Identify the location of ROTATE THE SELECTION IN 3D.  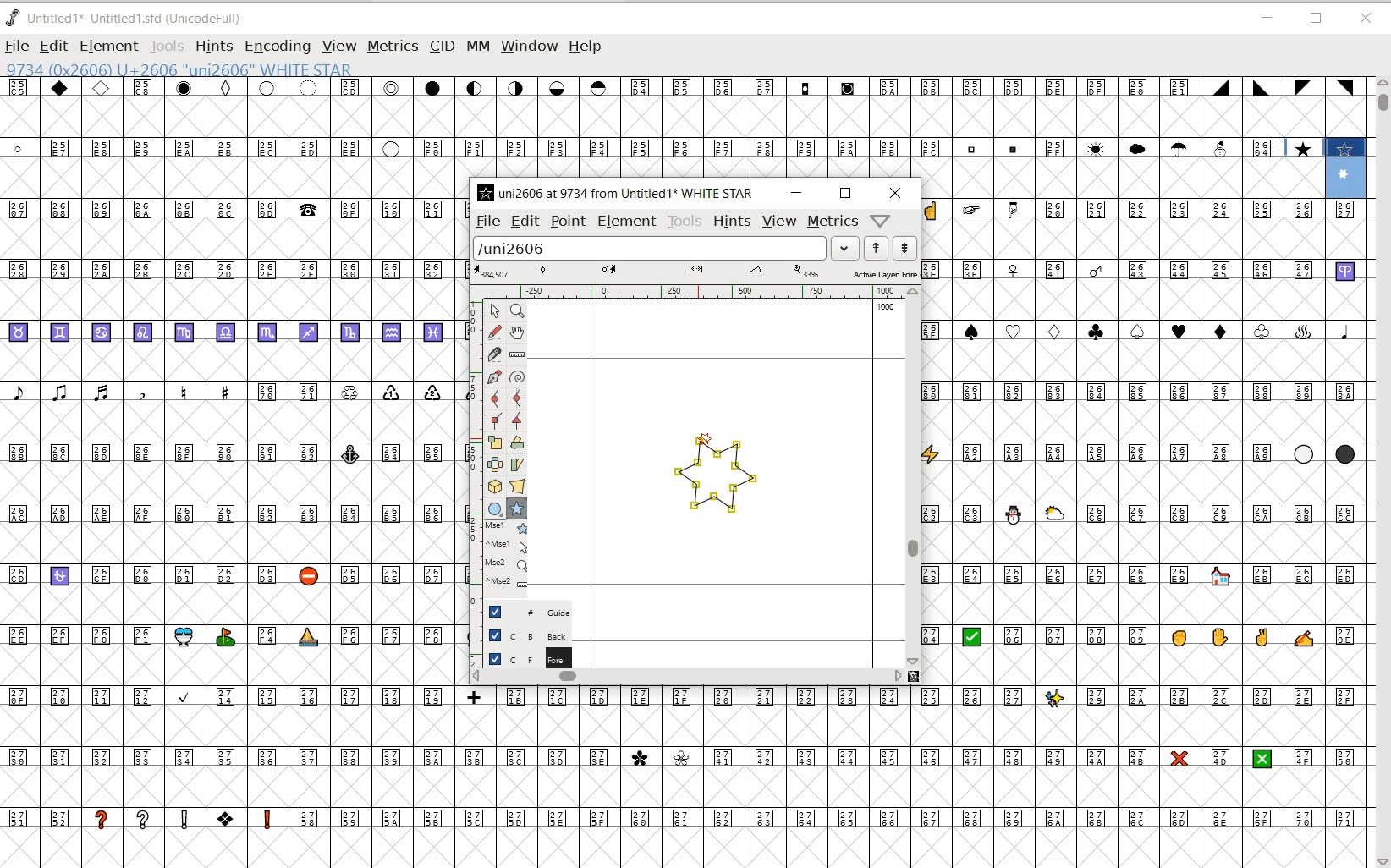
(498, 486).